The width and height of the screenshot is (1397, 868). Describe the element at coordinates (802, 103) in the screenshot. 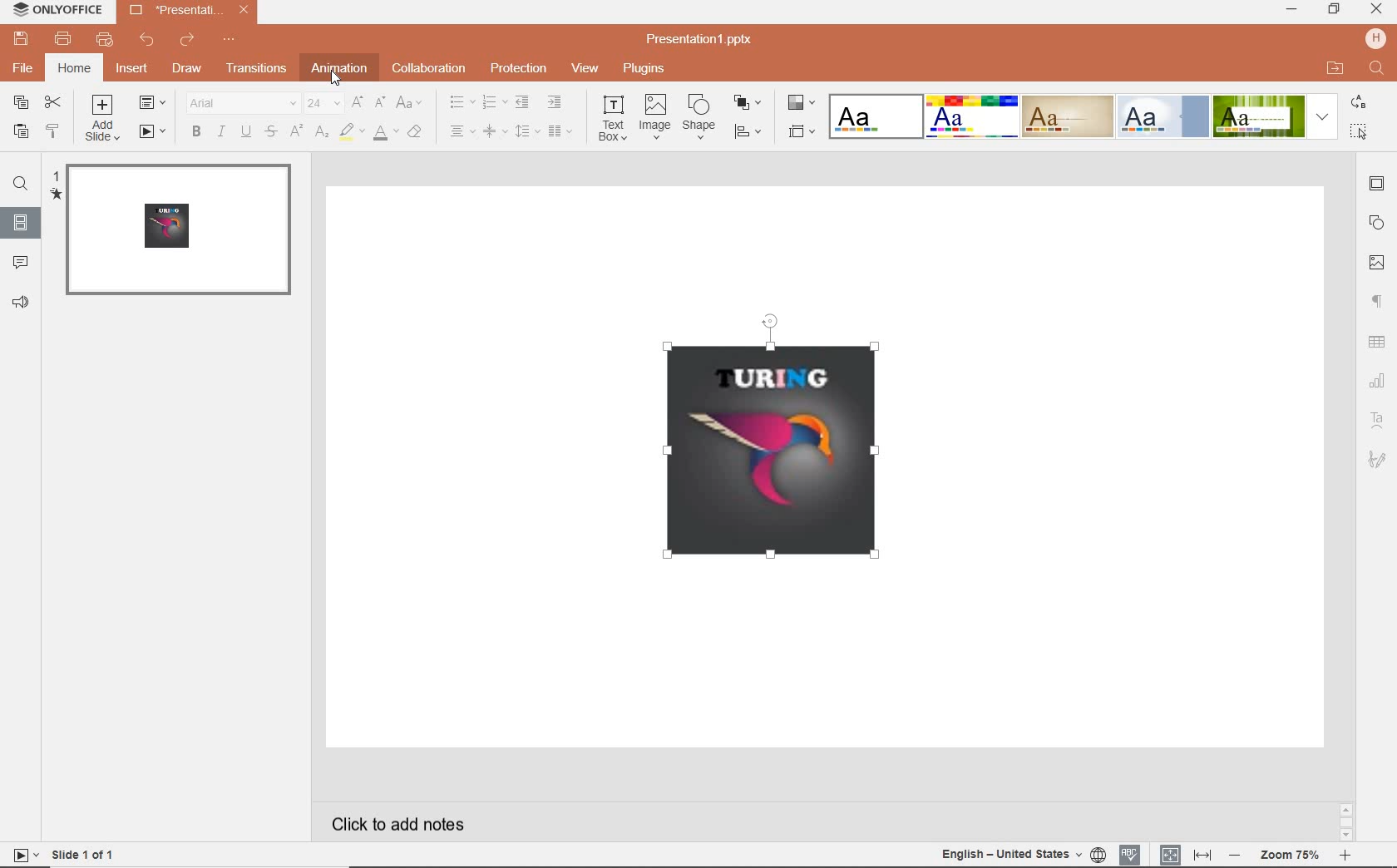

I see `change color theme` at that location.